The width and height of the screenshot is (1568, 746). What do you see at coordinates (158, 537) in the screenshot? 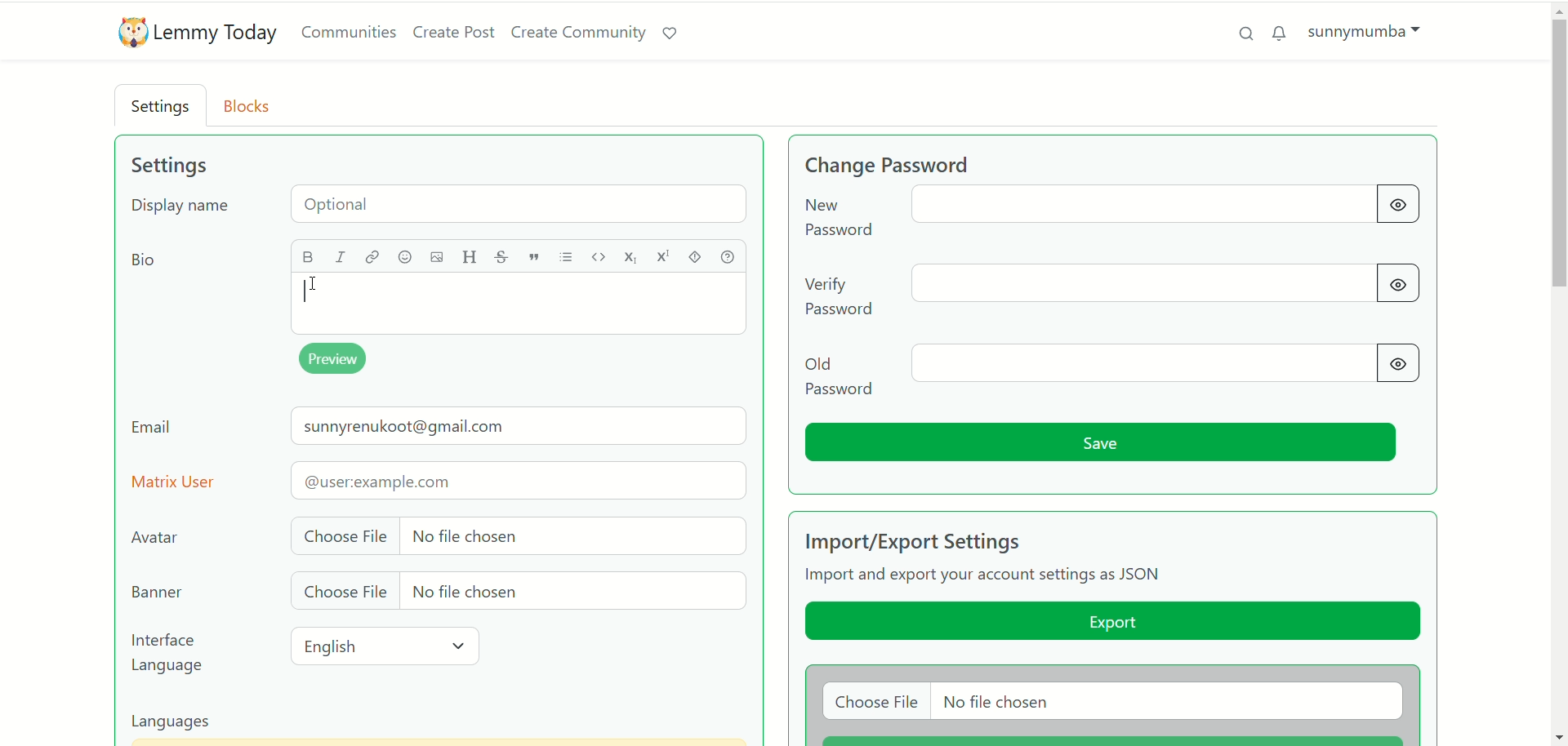
I see `avatar` at bounding box center [158, 537].